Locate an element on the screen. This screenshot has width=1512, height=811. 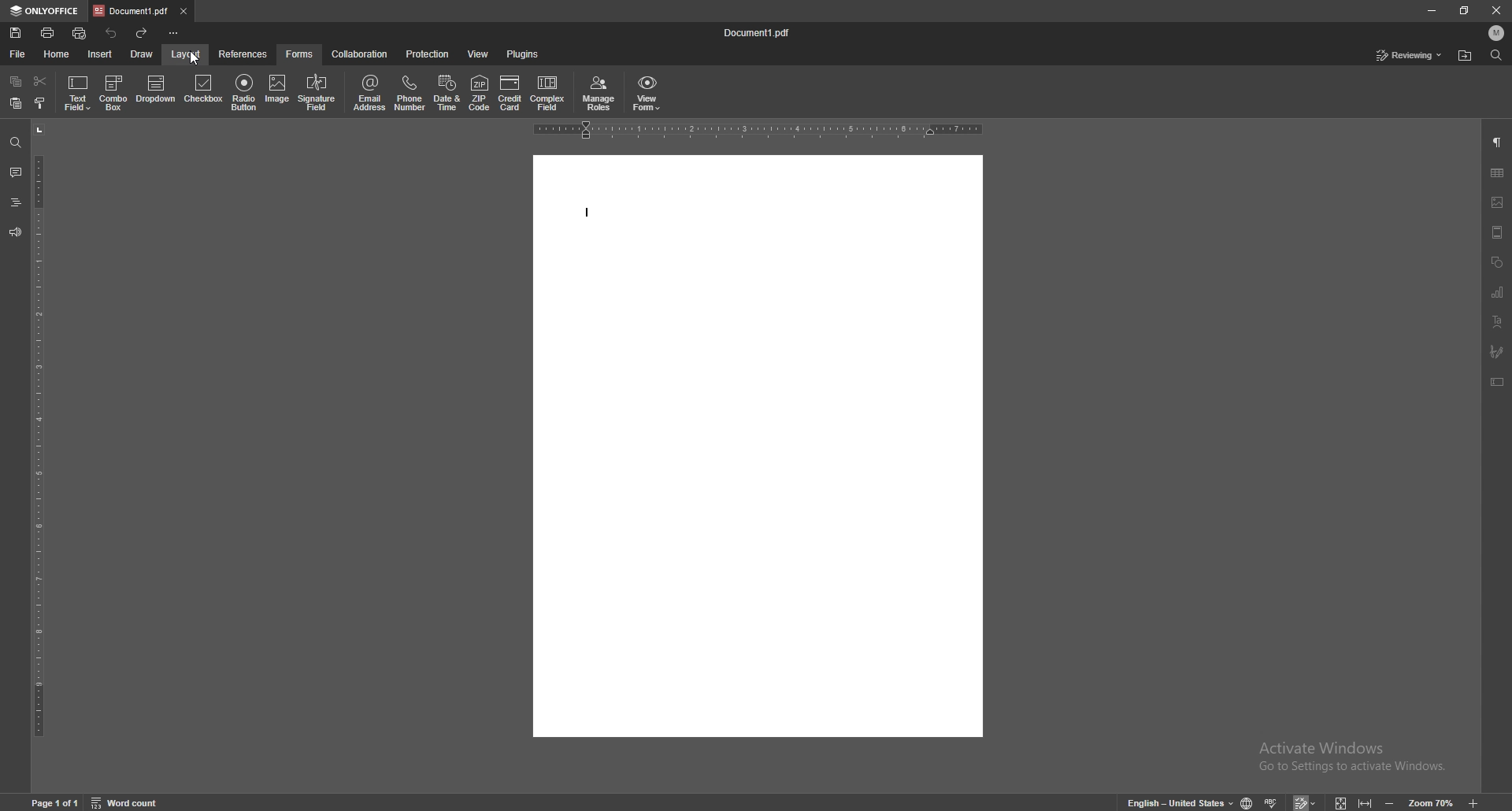
phone number is located at coordinates (410, 92).